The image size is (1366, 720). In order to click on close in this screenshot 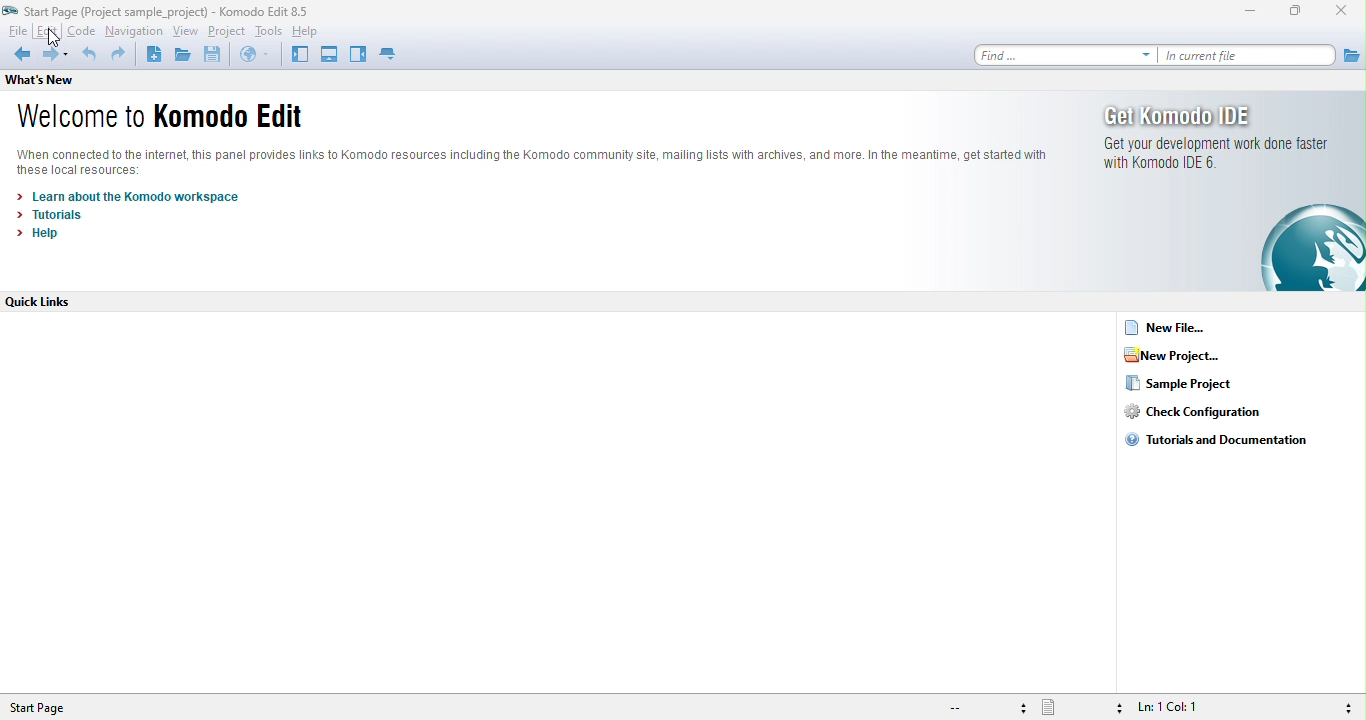, I will do `click(1346, 12)`.